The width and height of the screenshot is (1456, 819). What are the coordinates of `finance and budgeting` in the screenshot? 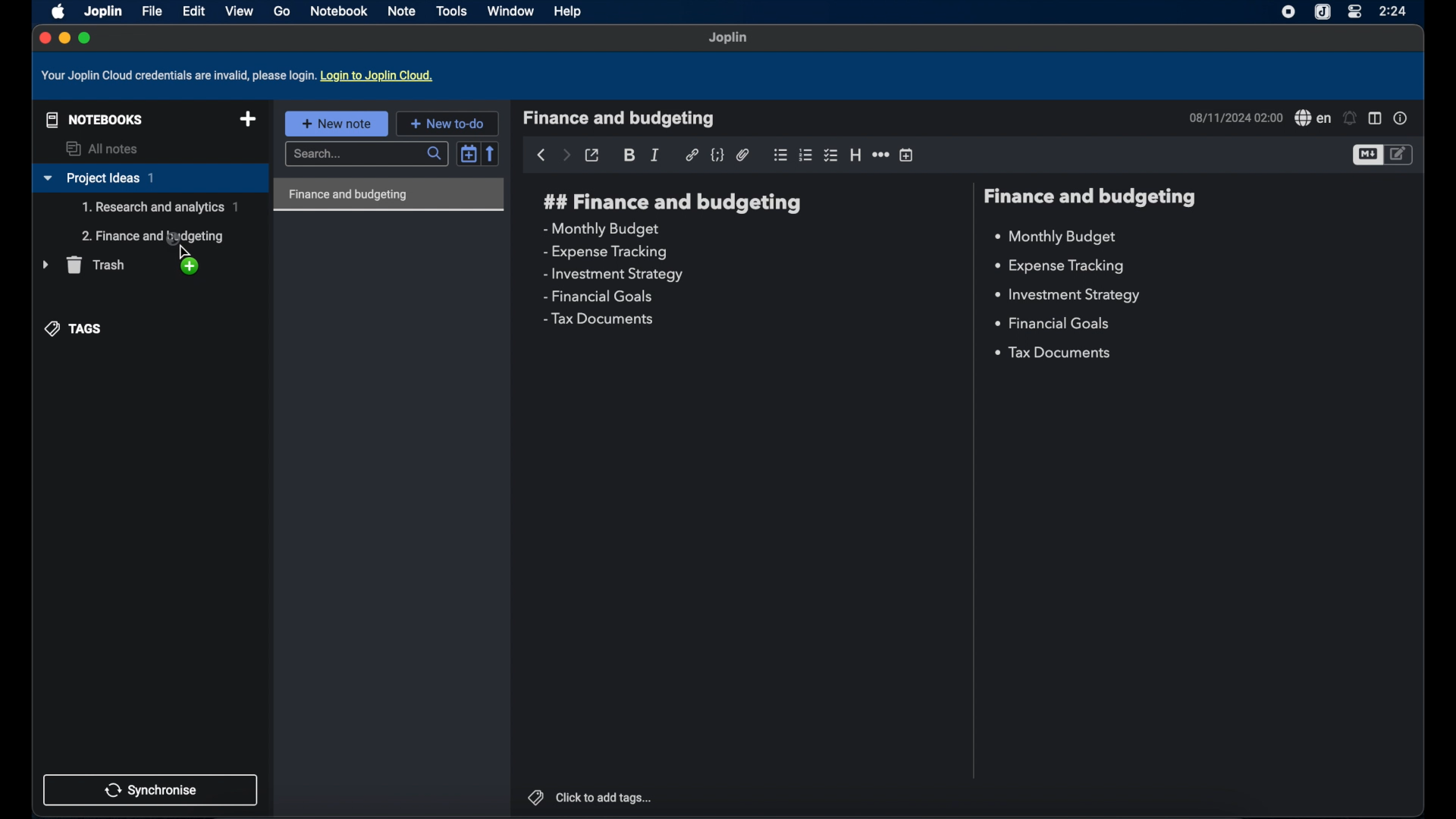 It's located at (670, 202).